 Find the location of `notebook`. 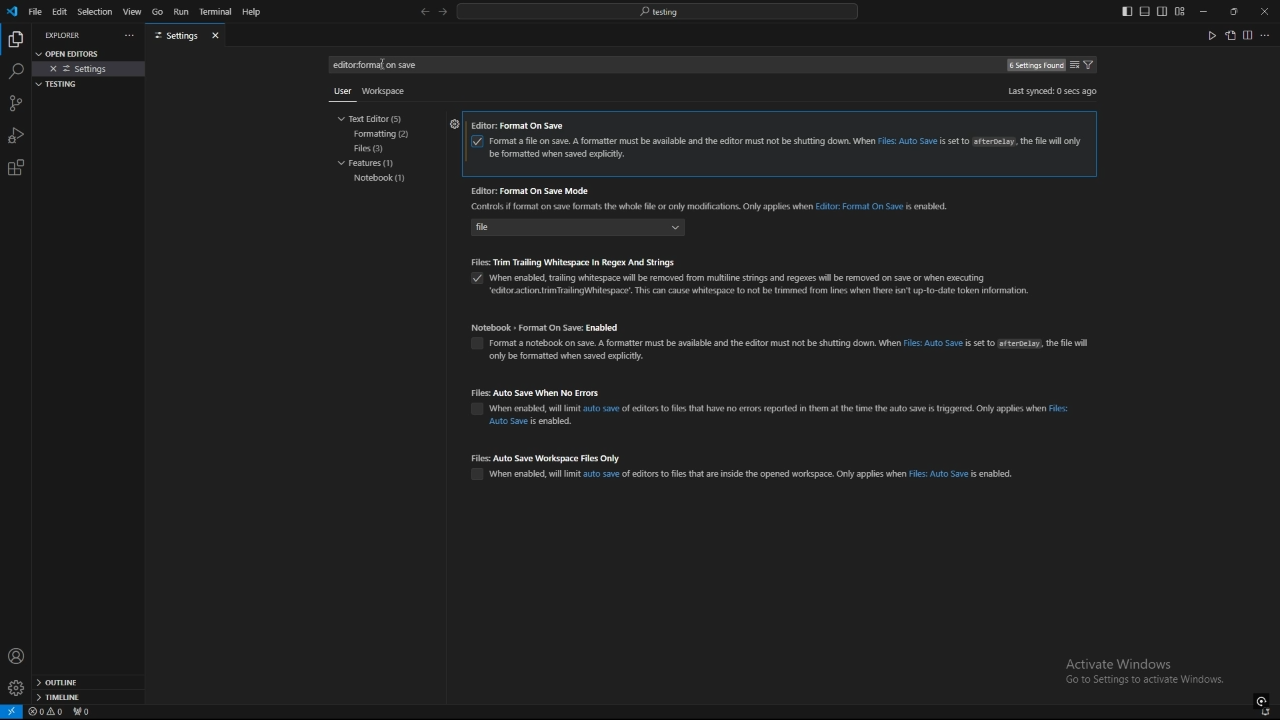

notebook is located at coordinates (380, 179).